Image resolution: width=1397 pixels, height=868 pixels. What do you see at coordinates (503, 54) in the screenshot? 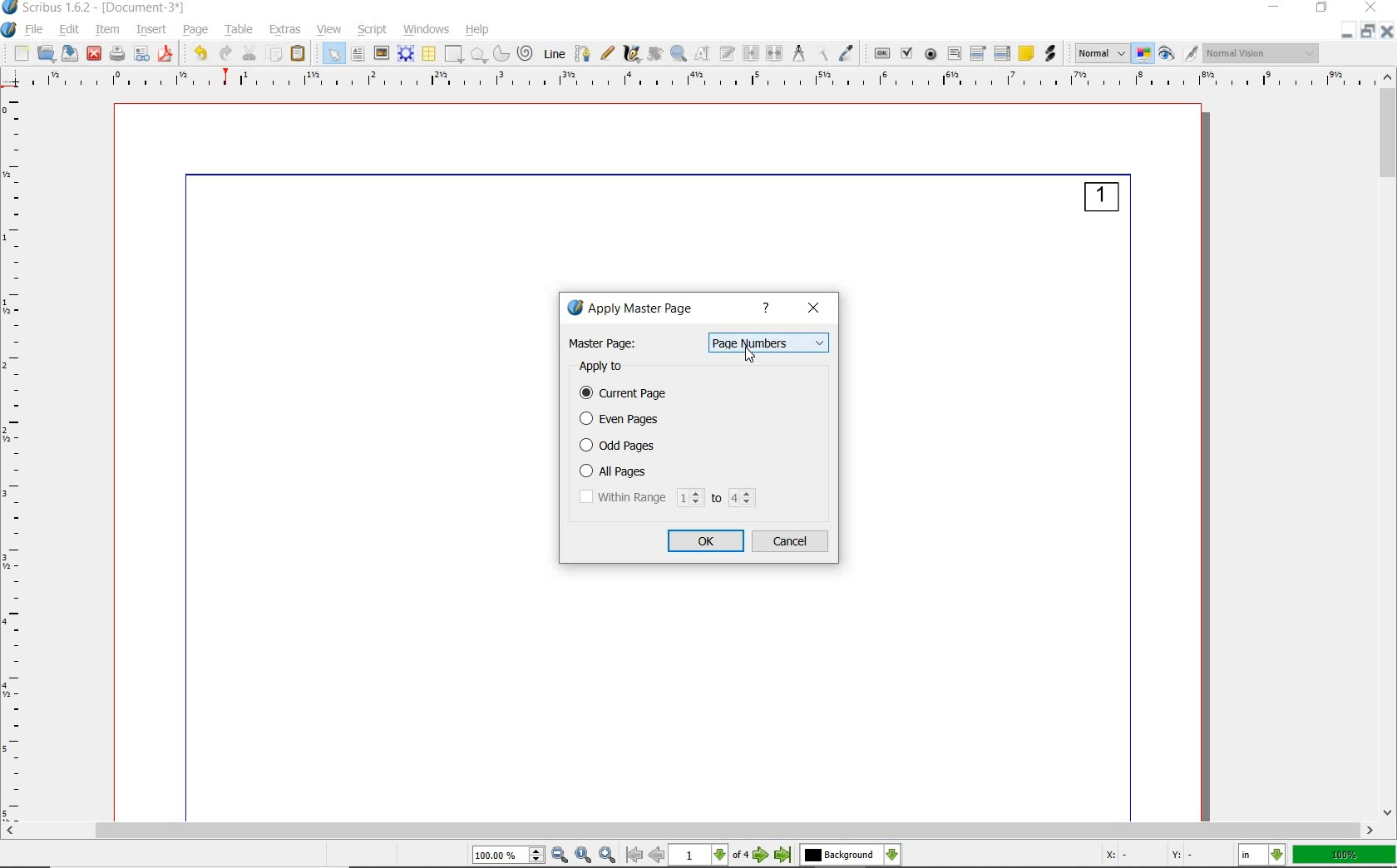
I see `arc` at bounding box center [503, 54].